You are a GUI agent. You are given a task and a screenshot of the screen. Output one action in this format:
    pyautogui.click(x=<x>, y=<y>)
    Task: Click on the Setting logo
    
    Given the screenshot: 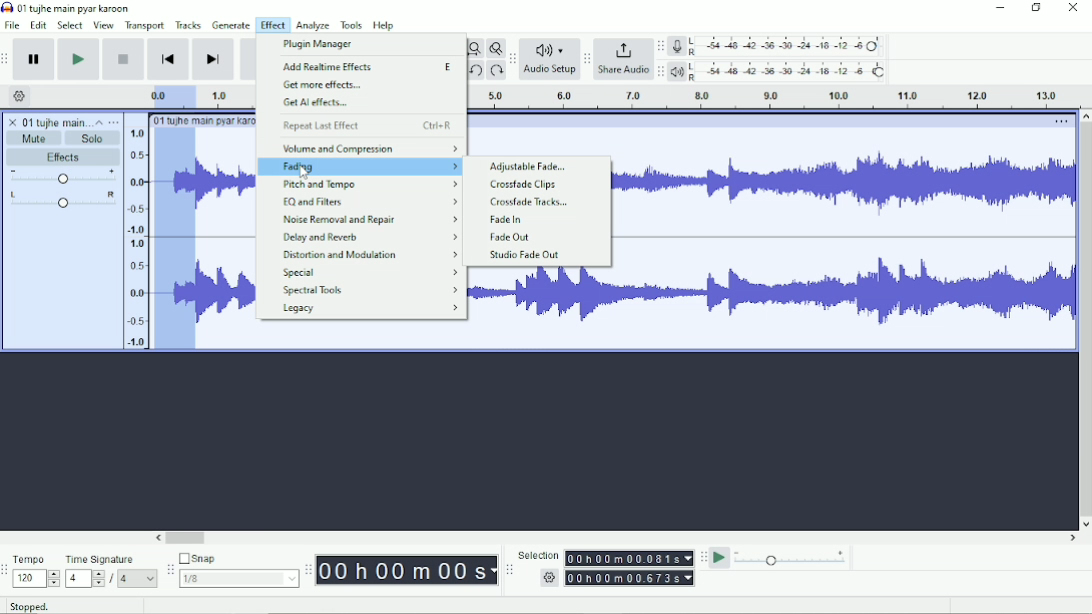 What is the action you would take?
    pyautogui.click(x=20, y=95)
    